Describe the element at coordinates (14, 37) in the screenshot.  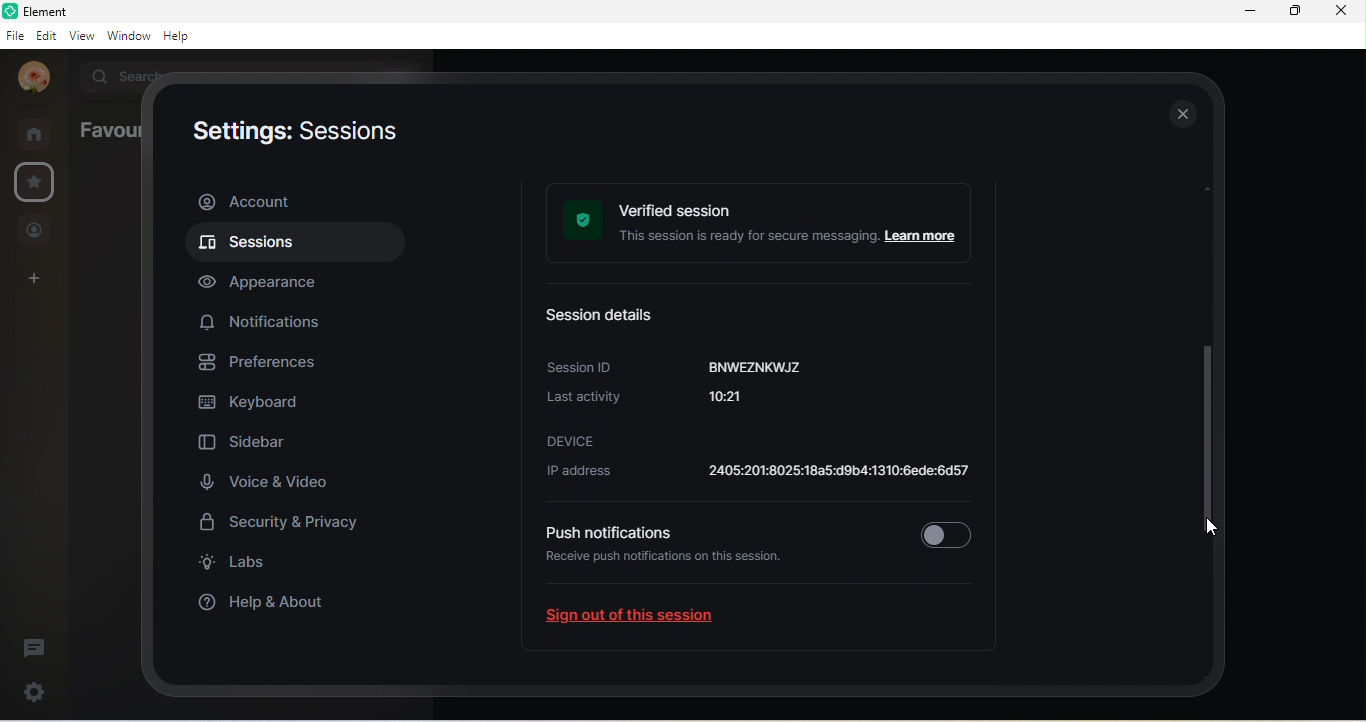
I see `file` at that location.